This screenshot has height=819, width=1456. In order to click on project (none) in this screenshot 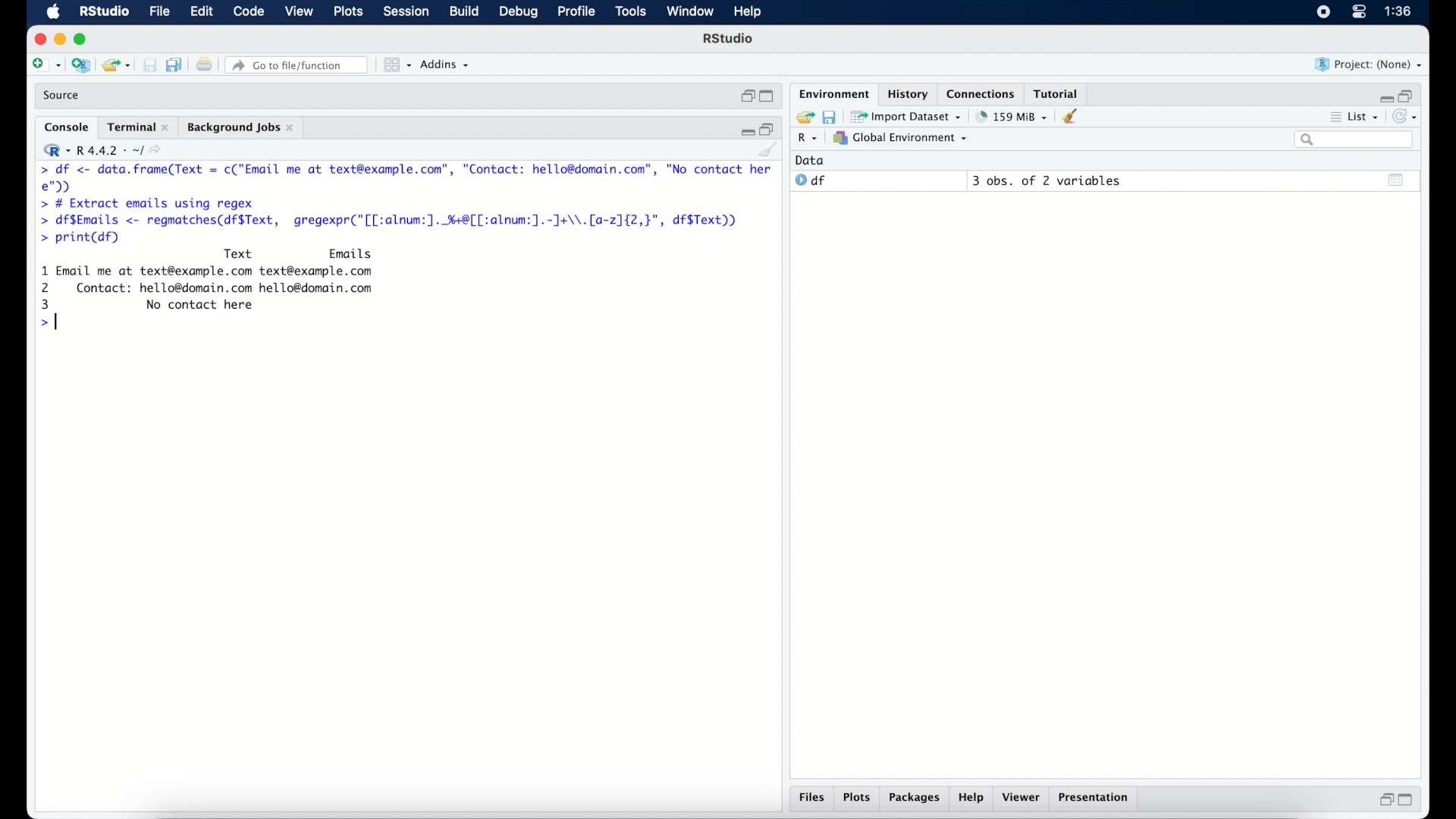, I will do `click(1370, 65)`.